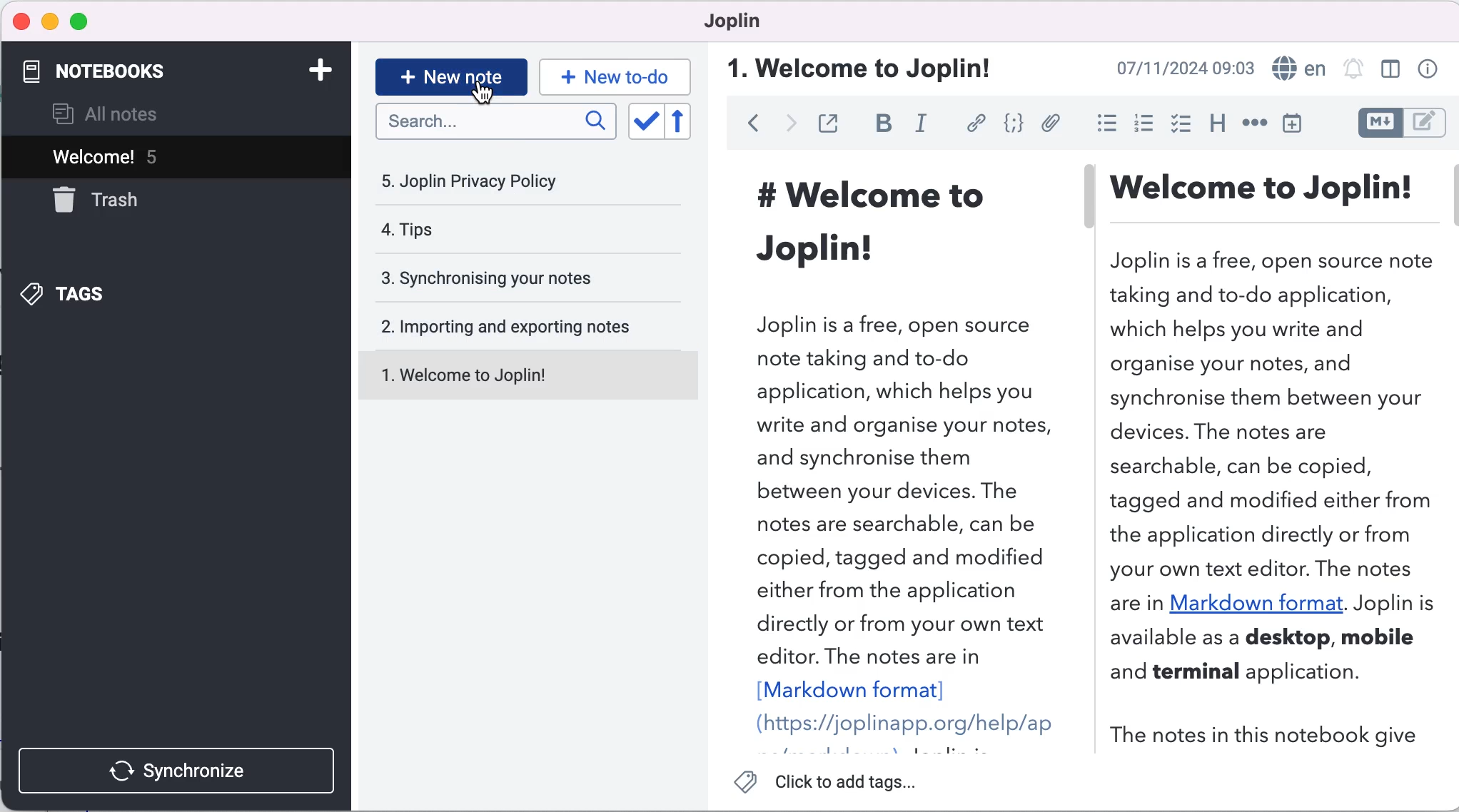 The image size is (1459, 812). Describe the element at coordinates (1141, 123) in the screenshot. I see `numbered list` at that location.